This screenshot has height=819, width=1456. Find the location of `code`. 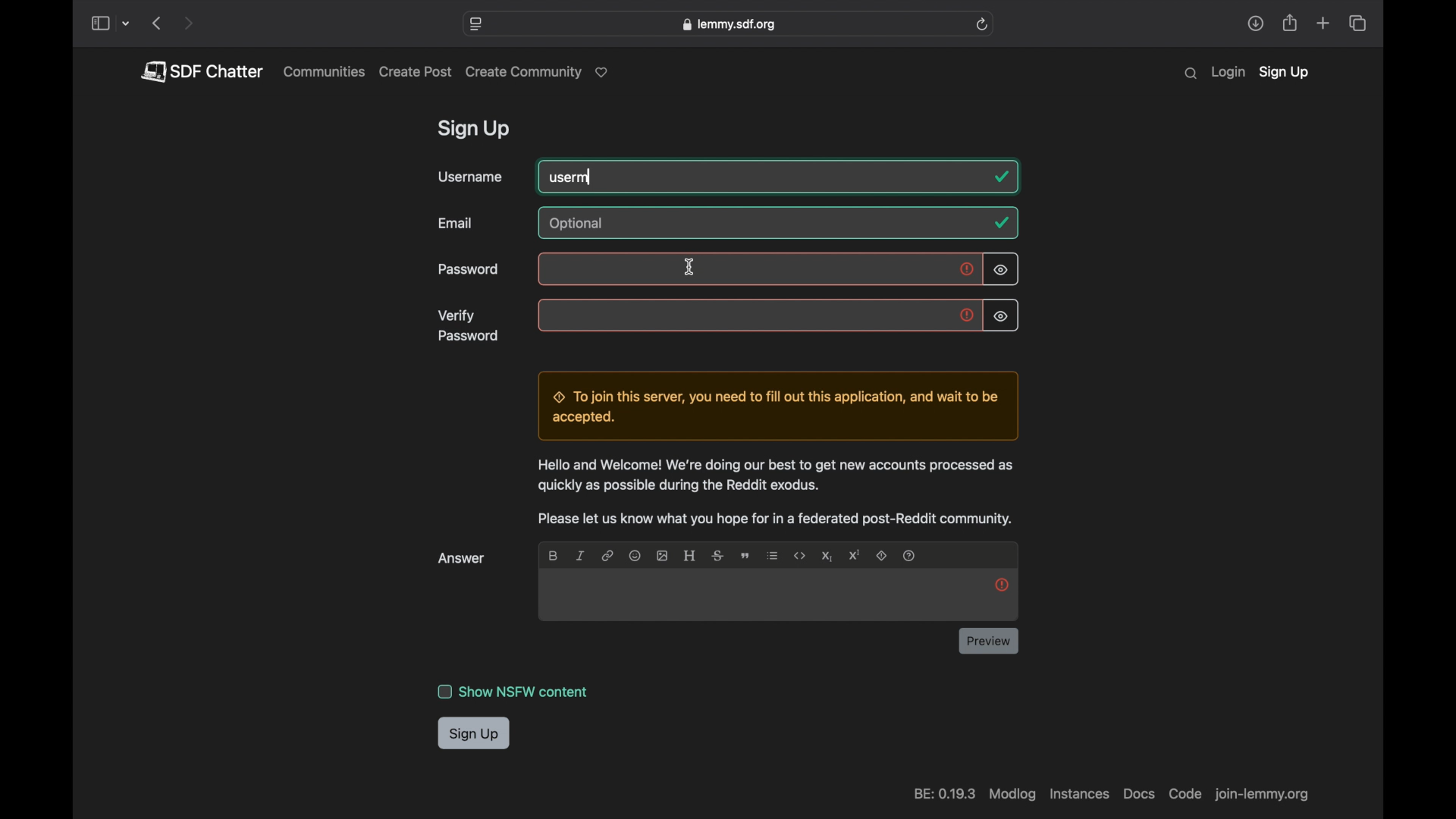

code is located at coordinates (800, 556).